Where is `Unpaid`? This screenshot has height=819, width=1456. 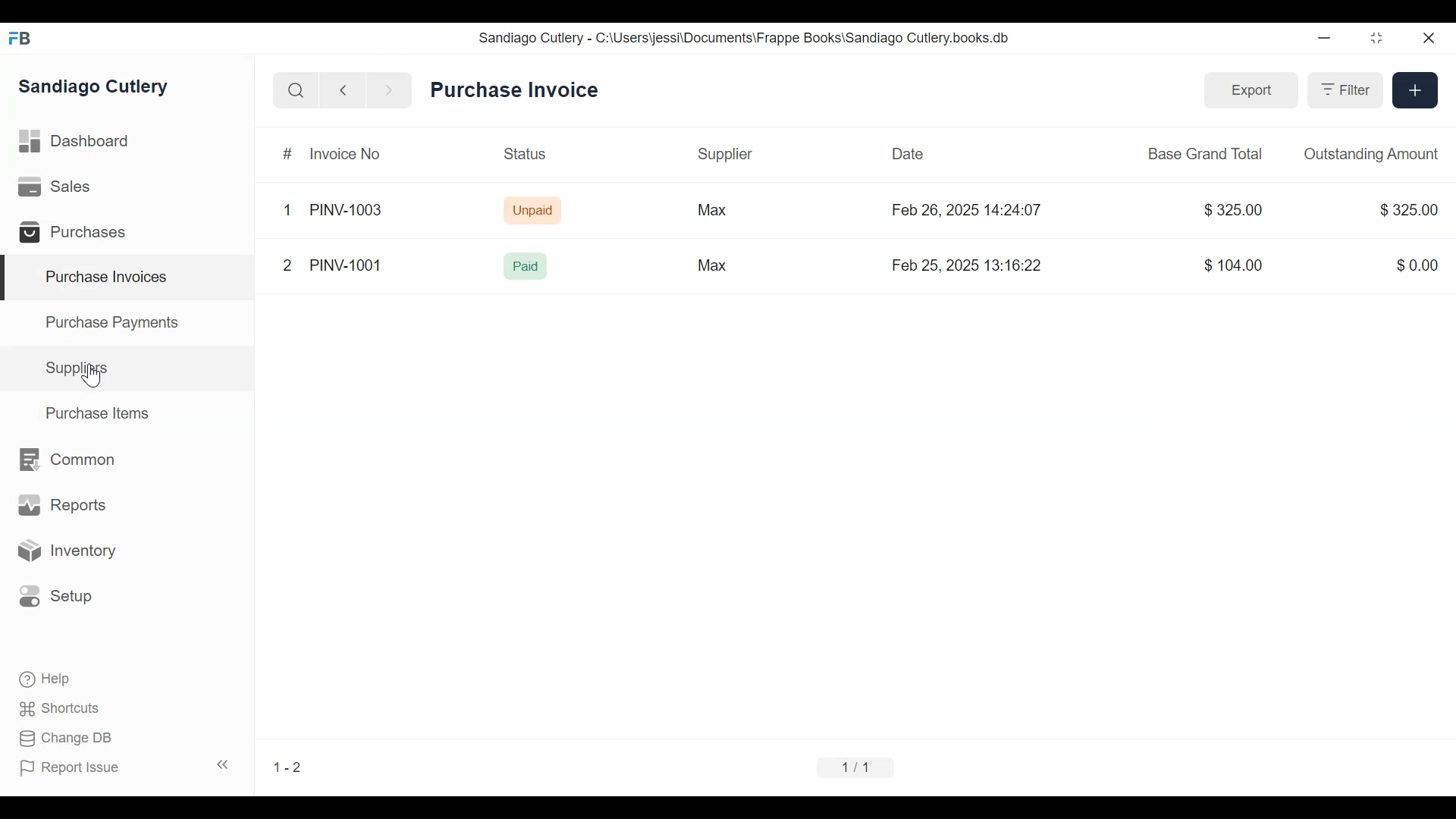 Unpaid is located at coordinates (536, 211).